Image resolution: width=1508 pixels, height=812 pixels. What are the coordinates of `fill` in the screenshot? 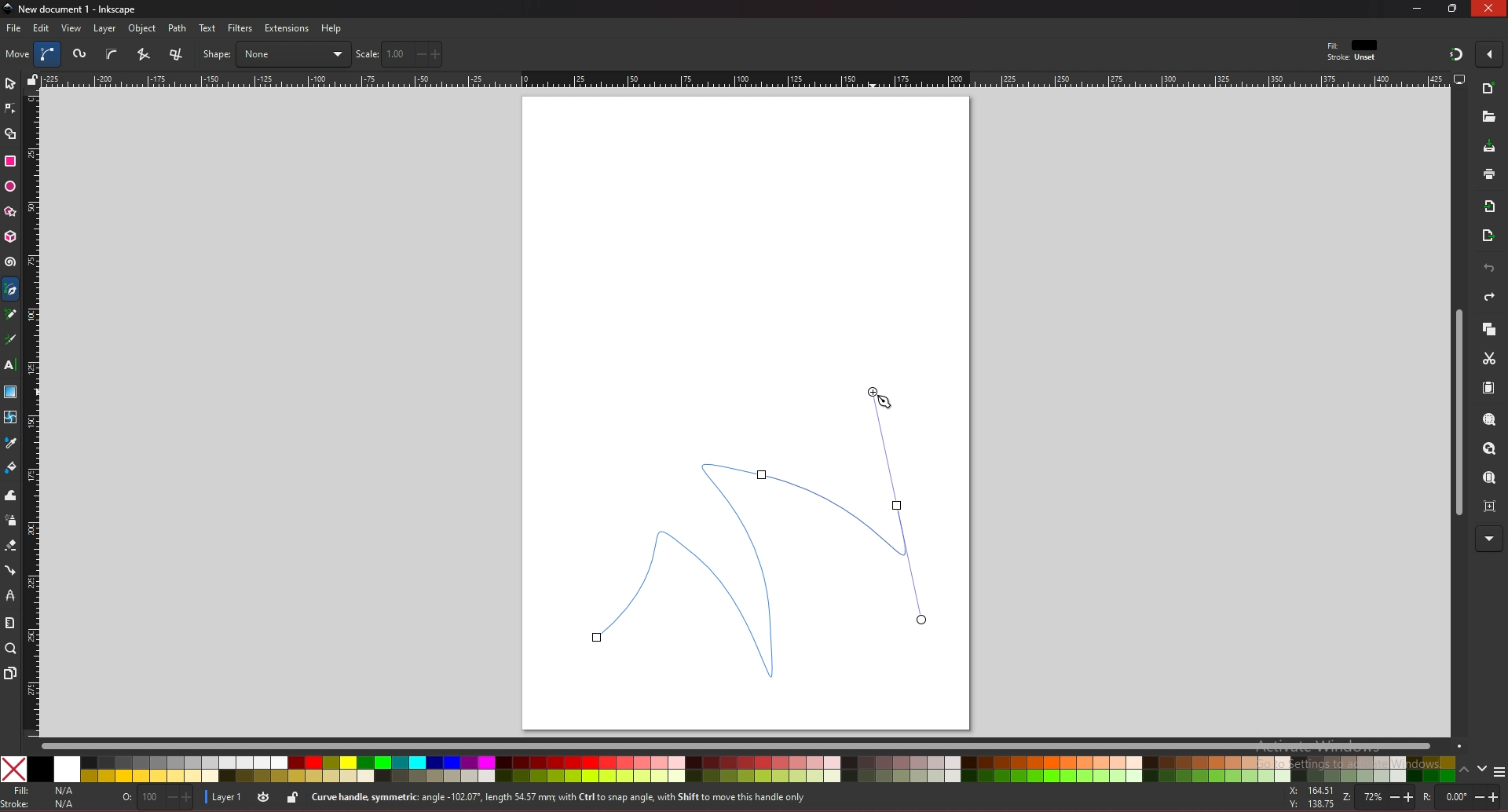 It's located at (42, 791).